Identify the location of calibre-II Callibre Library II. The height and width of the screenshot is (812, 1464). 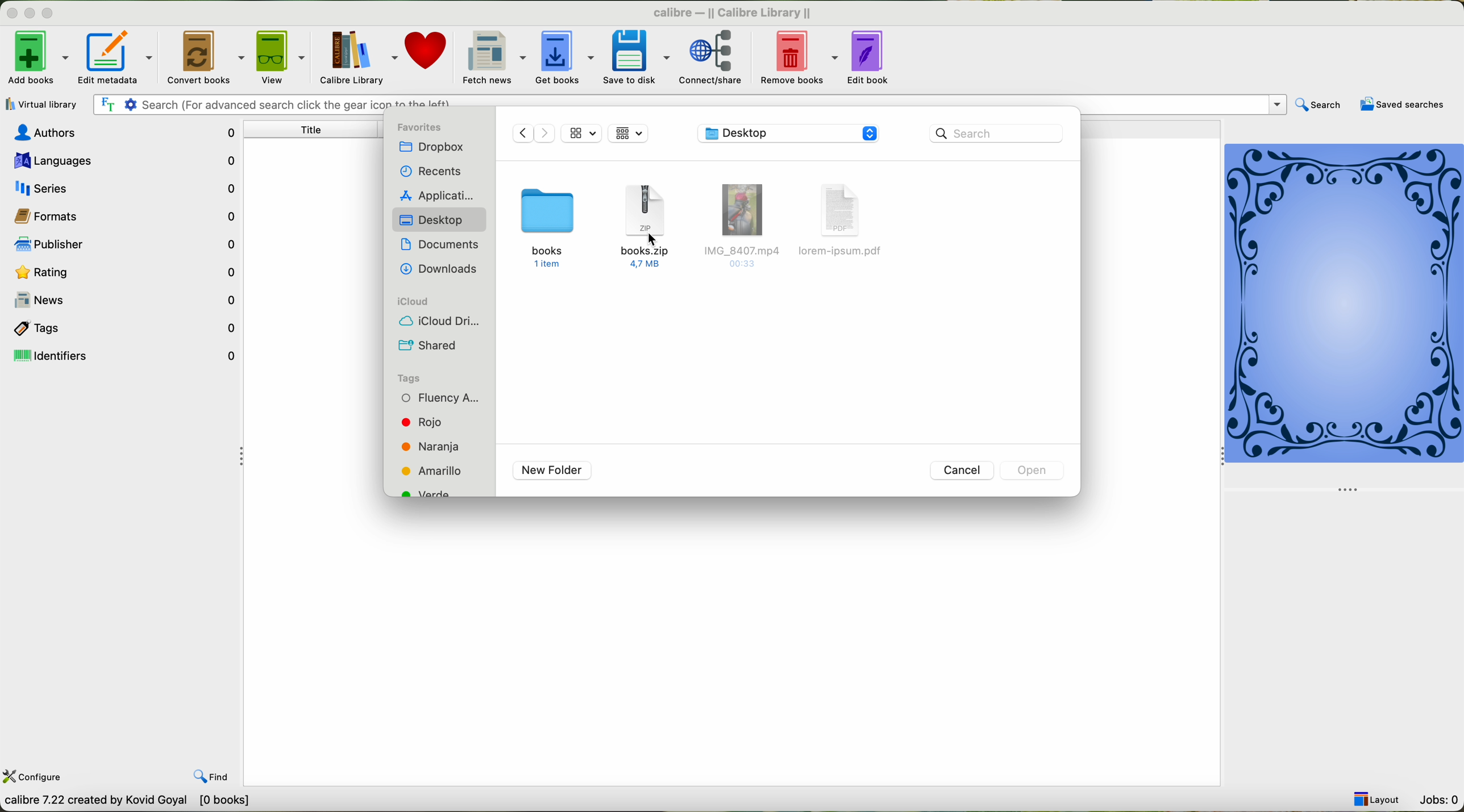
(728, 11).